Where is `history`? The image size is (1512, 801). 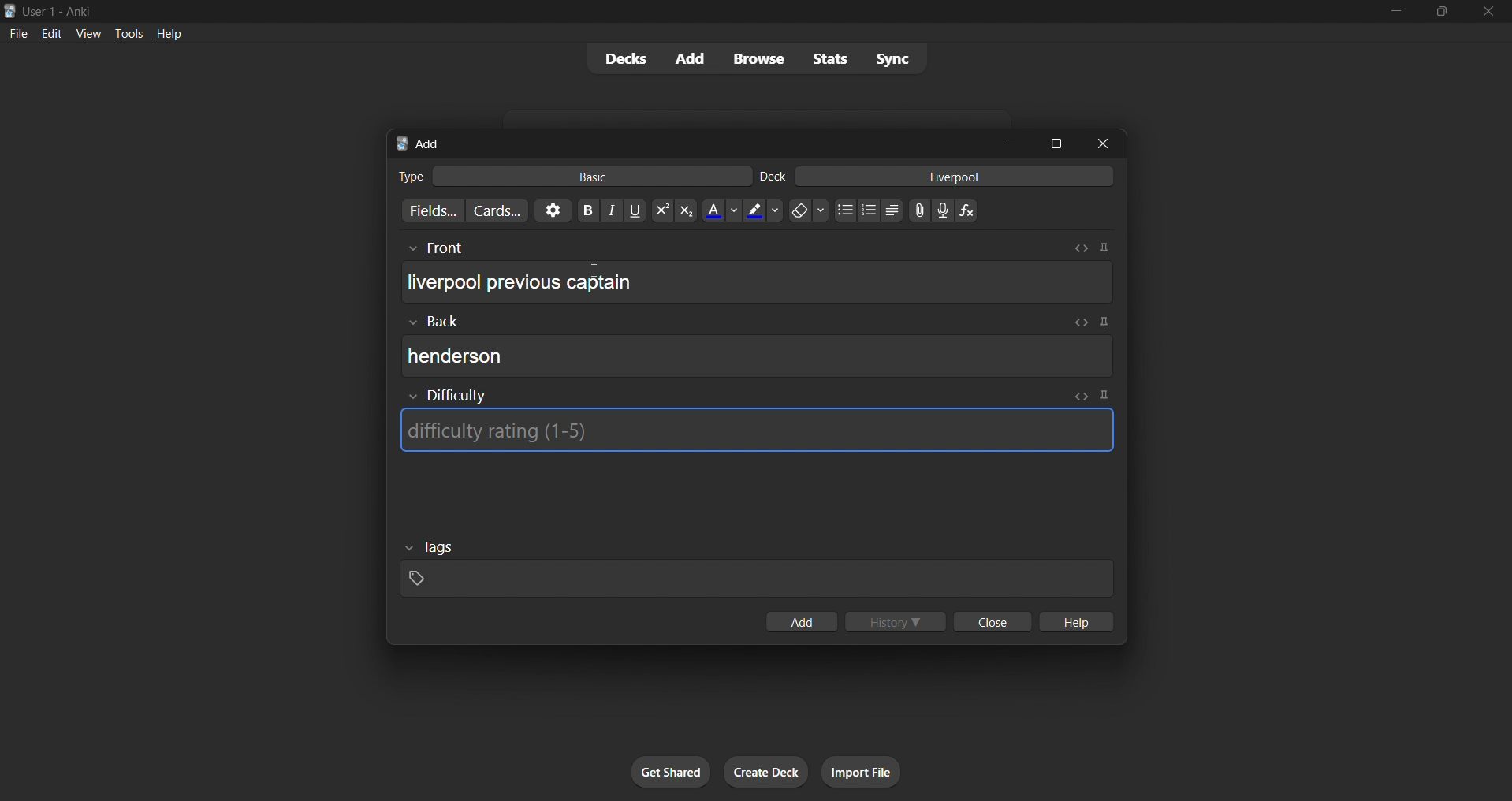 history is located at coordinates (898, 623).